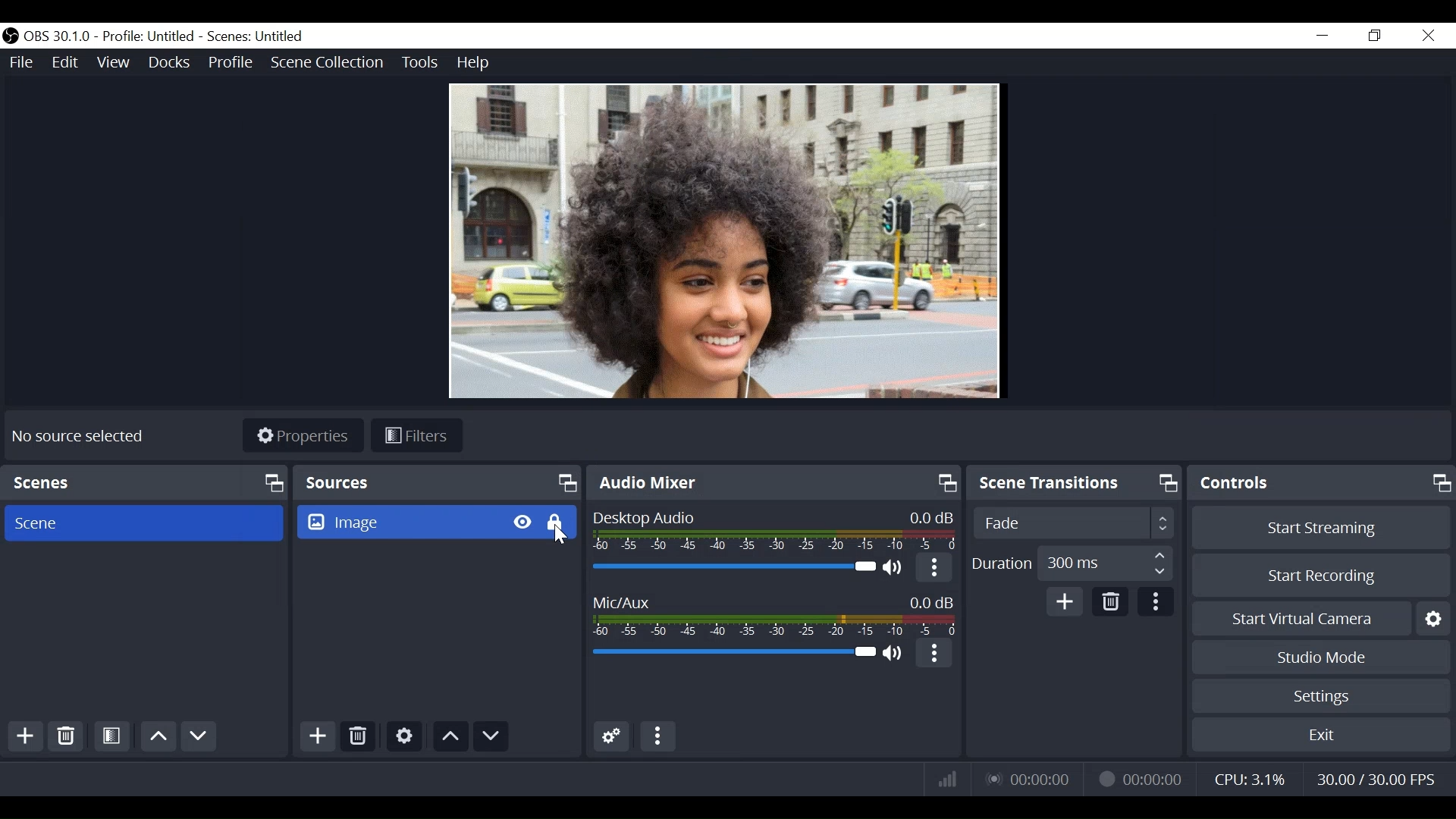  I want to click on Close, so click(1432, 34).